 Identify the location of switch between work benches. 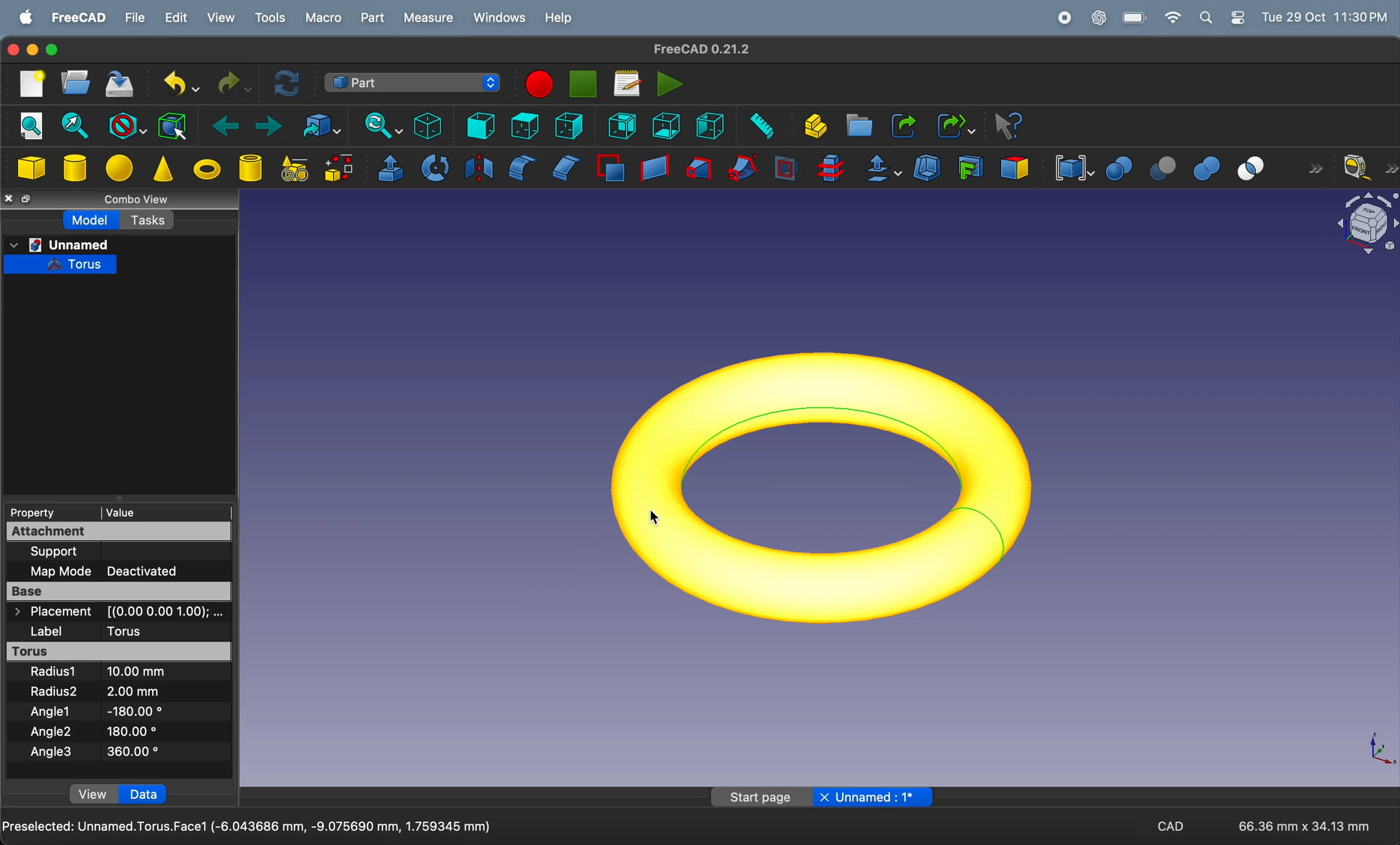
(413, 83).